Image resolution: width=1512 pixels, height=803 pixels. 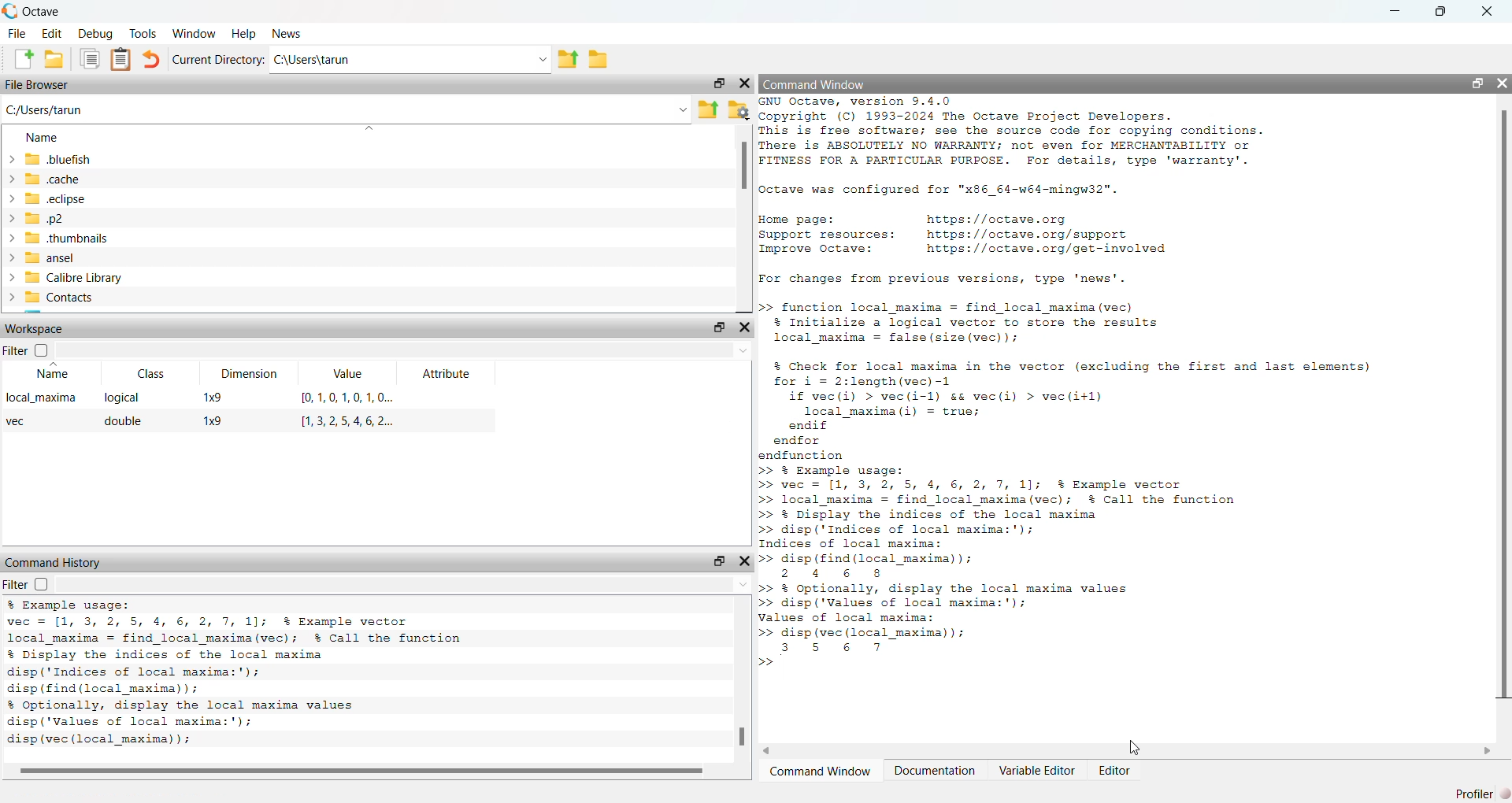 What do you see at coordinates (1477, 83) in the screenshot?
I see `Undock Widget` at bounding box center [1477, 83].